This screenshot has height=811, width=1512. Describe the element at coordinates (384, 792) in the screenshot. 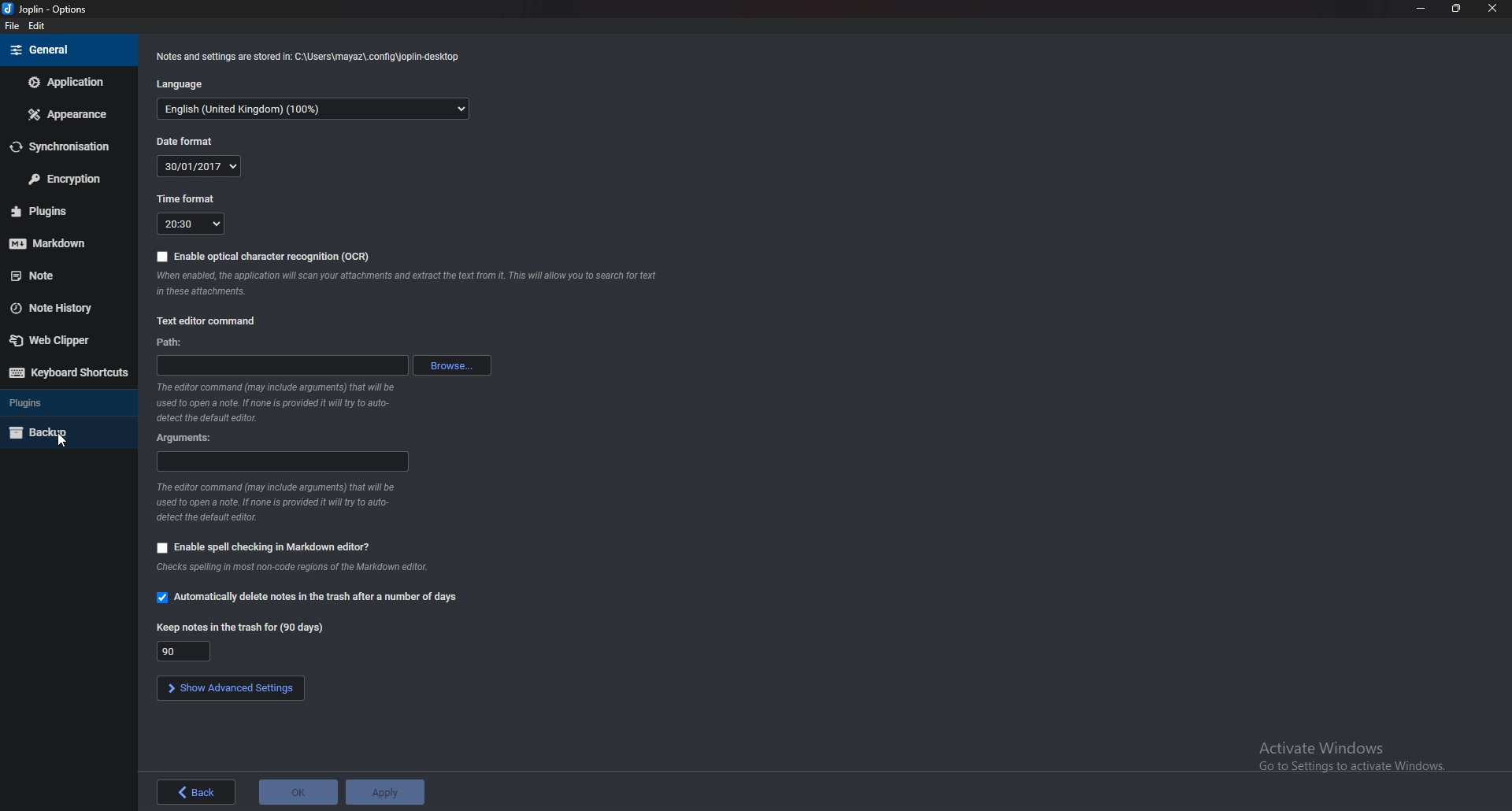

I see `apply` at that location.